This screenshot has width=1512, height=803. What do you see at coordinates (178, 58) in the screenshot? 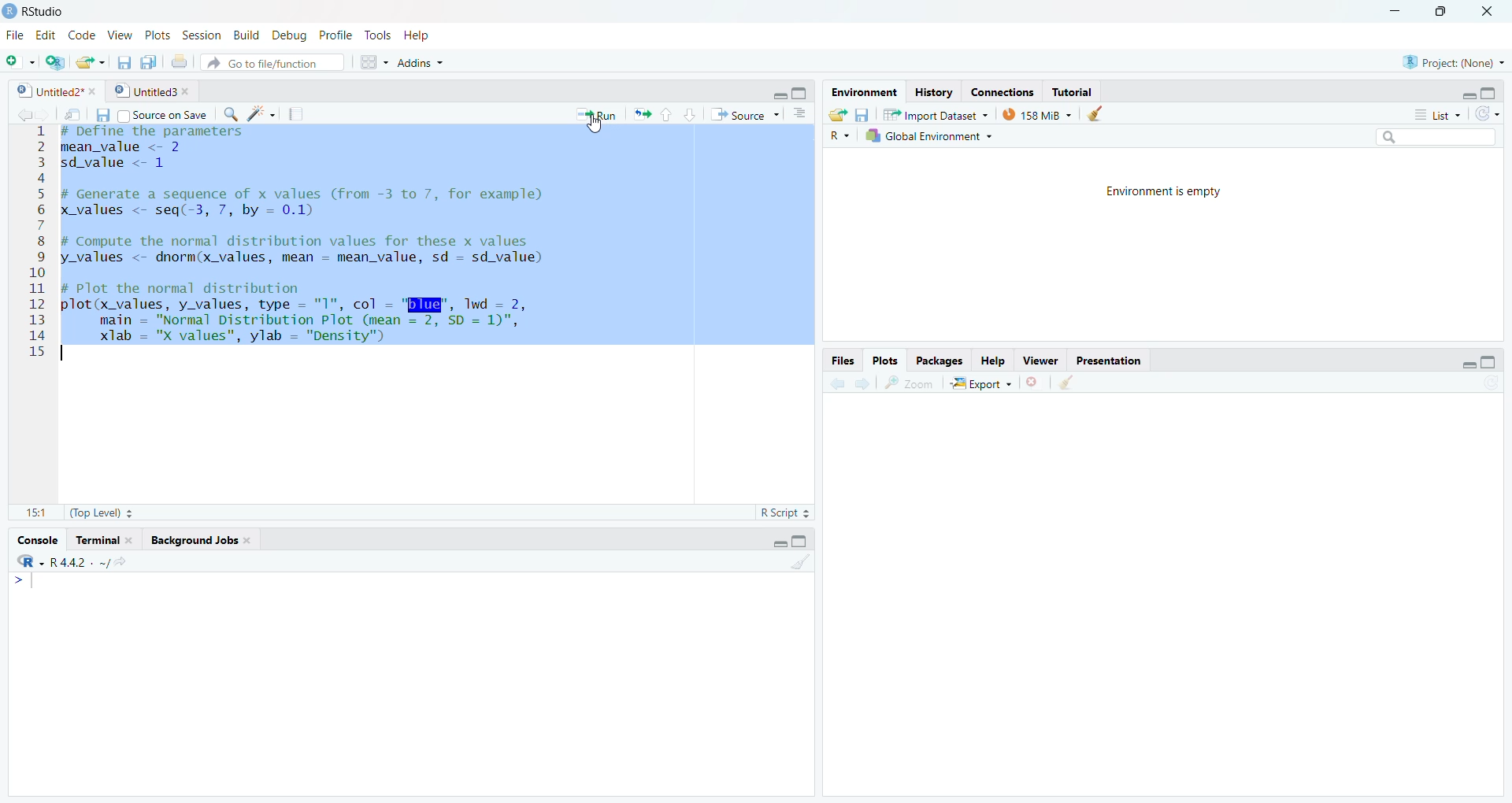
I see `Print the current file` at bounding box center [178, 58].